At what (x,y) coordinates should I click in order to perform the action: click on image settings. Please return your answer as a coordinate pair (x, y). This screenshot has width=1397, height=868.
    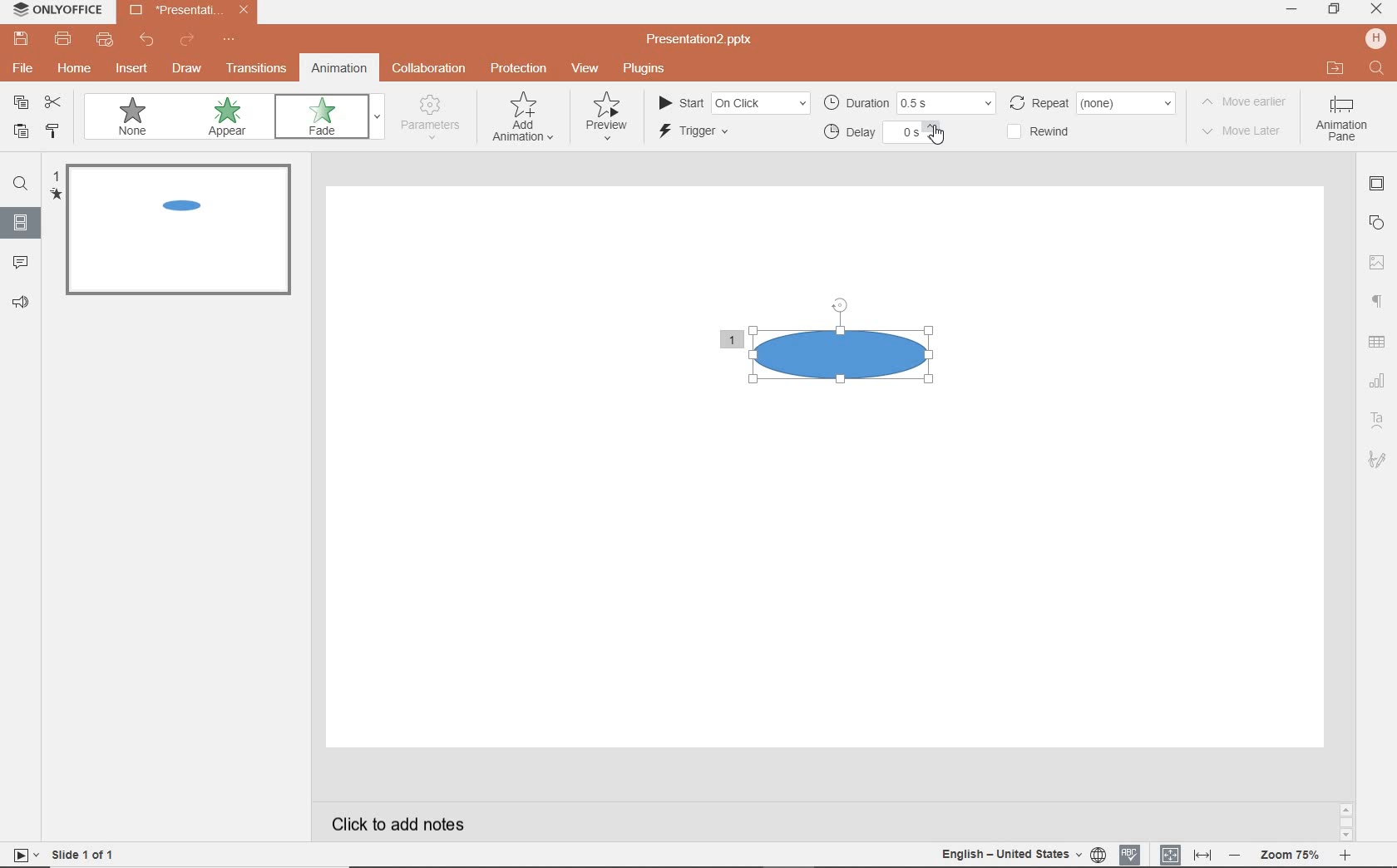
    Looking at the image, I should click on (1377, 262).